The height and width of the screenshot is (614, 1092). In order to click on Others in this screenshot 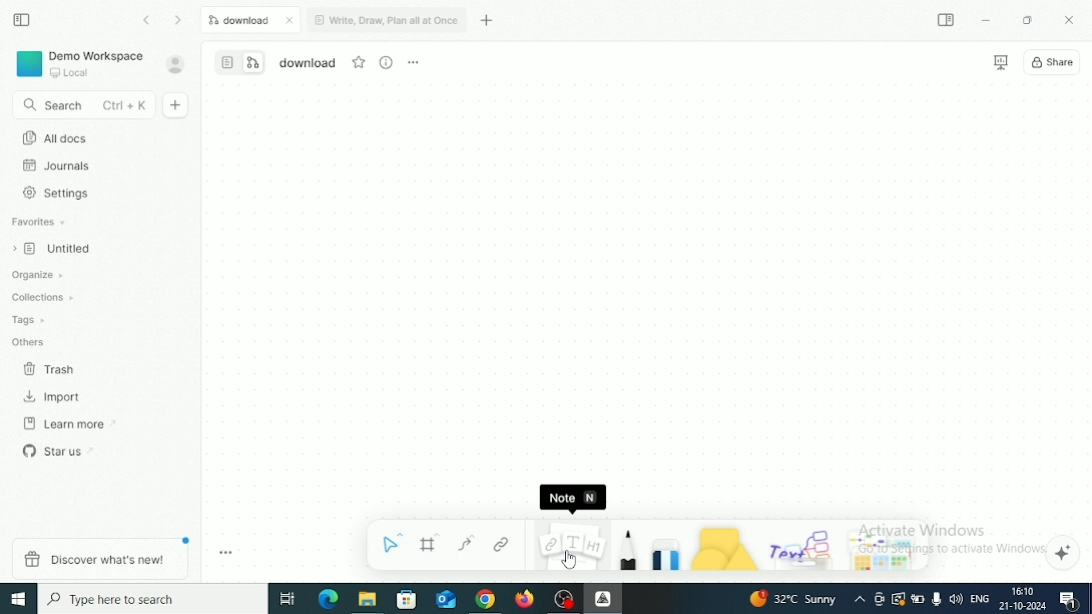, I will do `click(803, 547)`.